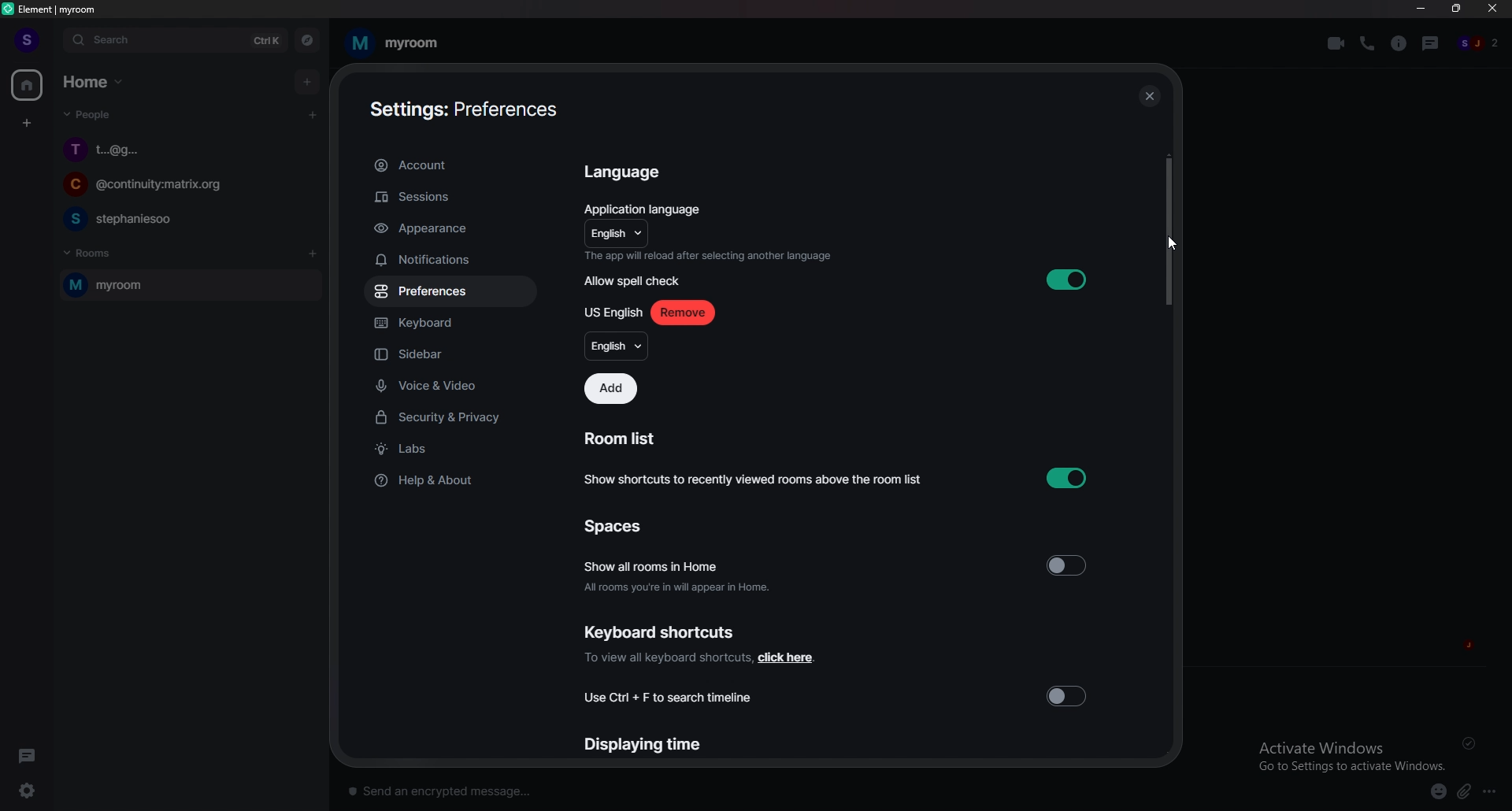 The image size is (1512, 811). What do you see at coordinates (673, 697) in the screenshot?
I see `use ctrl+f to search timeline` at bounding box center [673, 697].